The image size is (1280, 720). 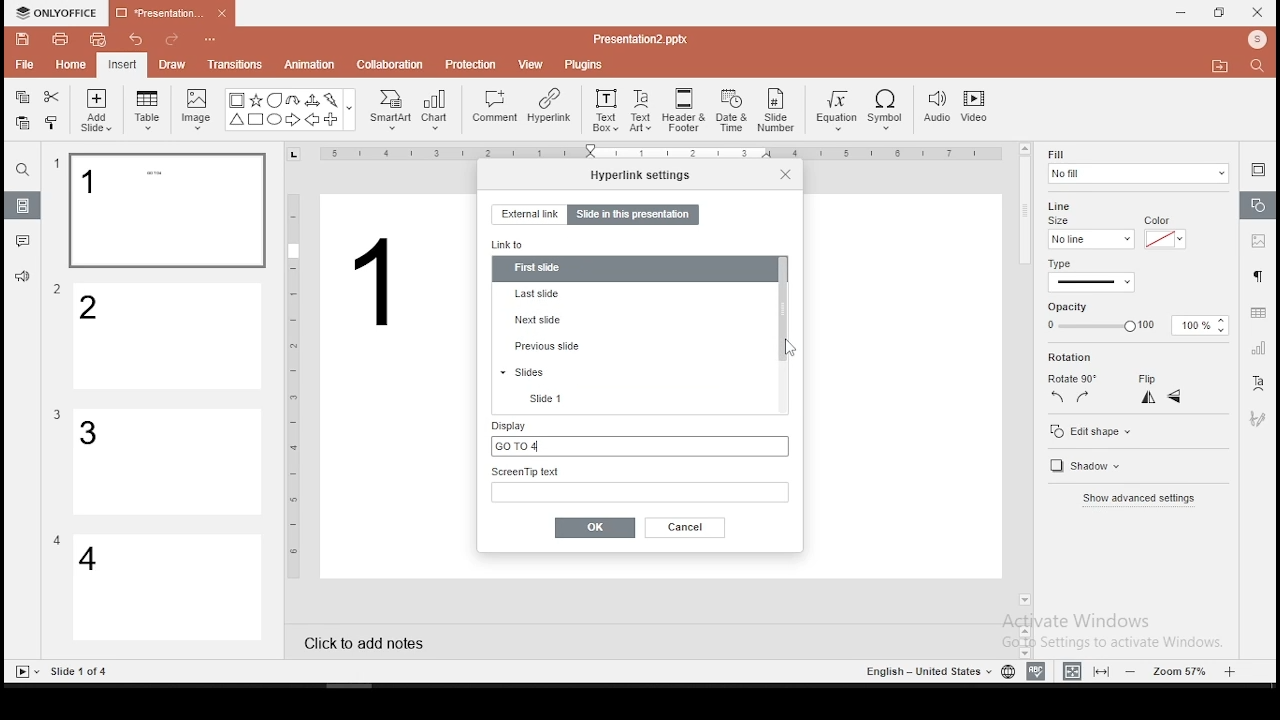 I want to click on table settings, so click(x=1256, y=313).